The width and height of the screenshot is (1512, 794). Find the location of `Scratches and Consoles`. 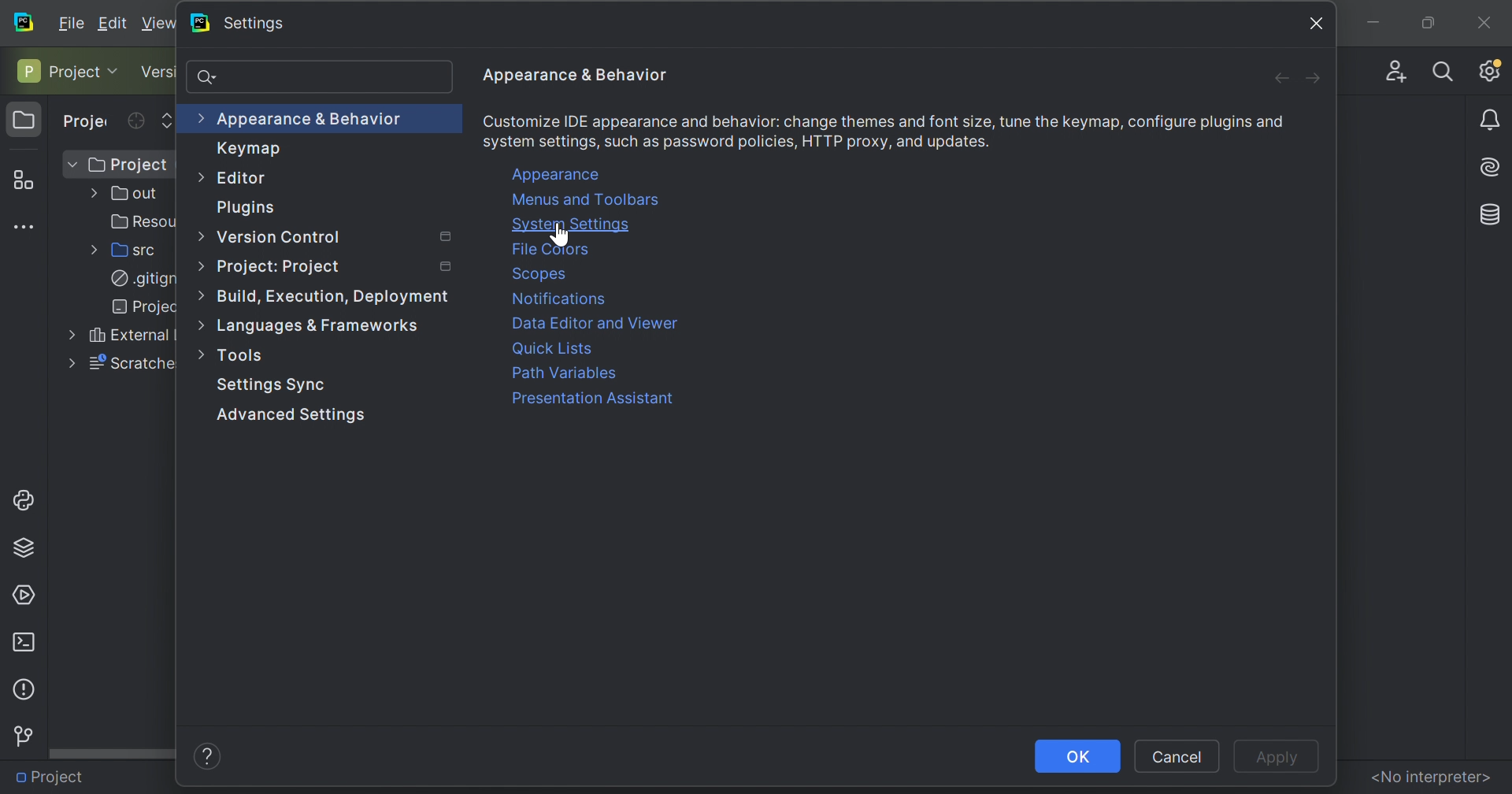

Scratches and Consoles is located at coordinates (128, 363).